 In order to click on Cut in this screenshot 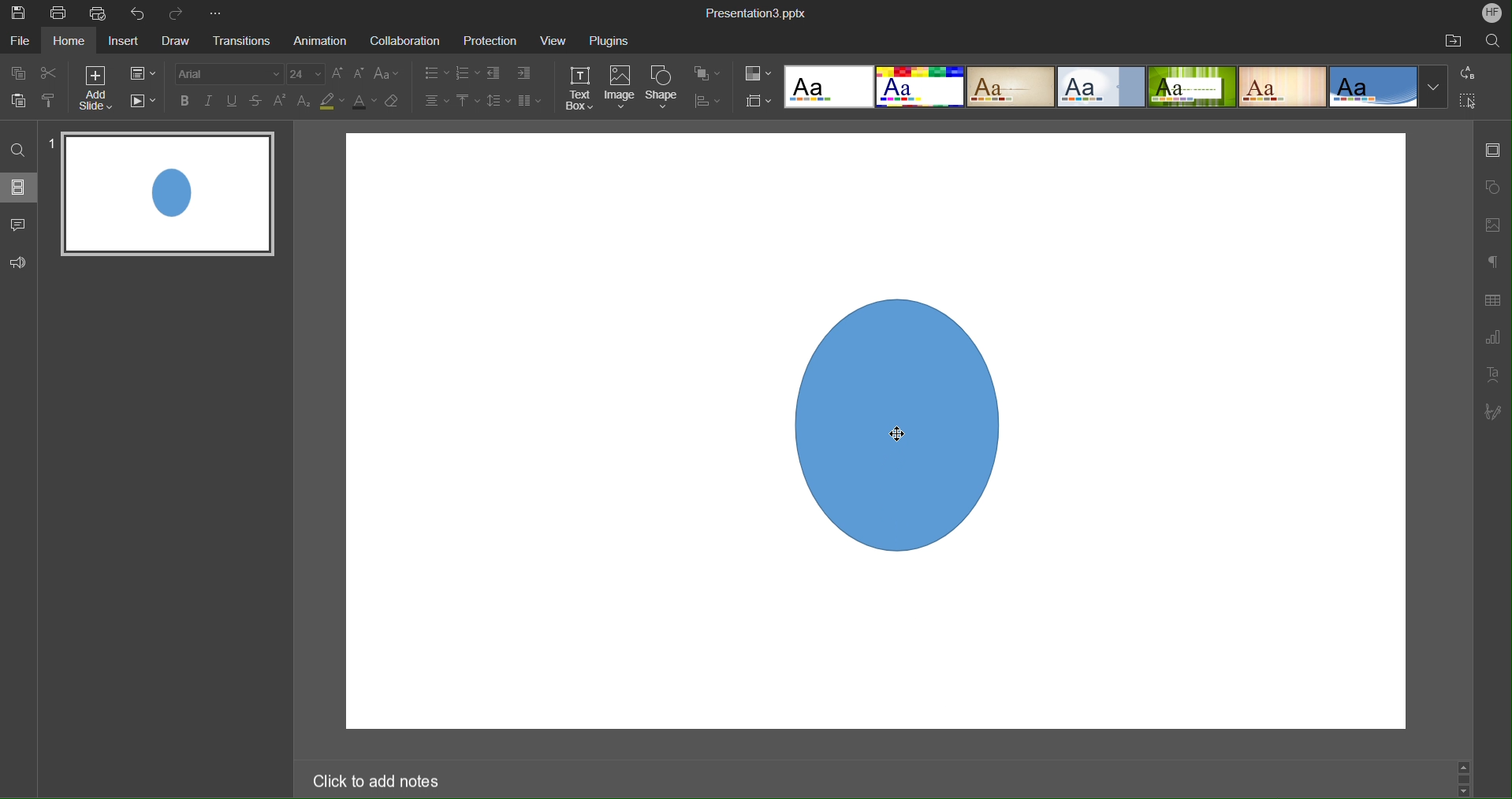, I will do `click(50, 73)`.